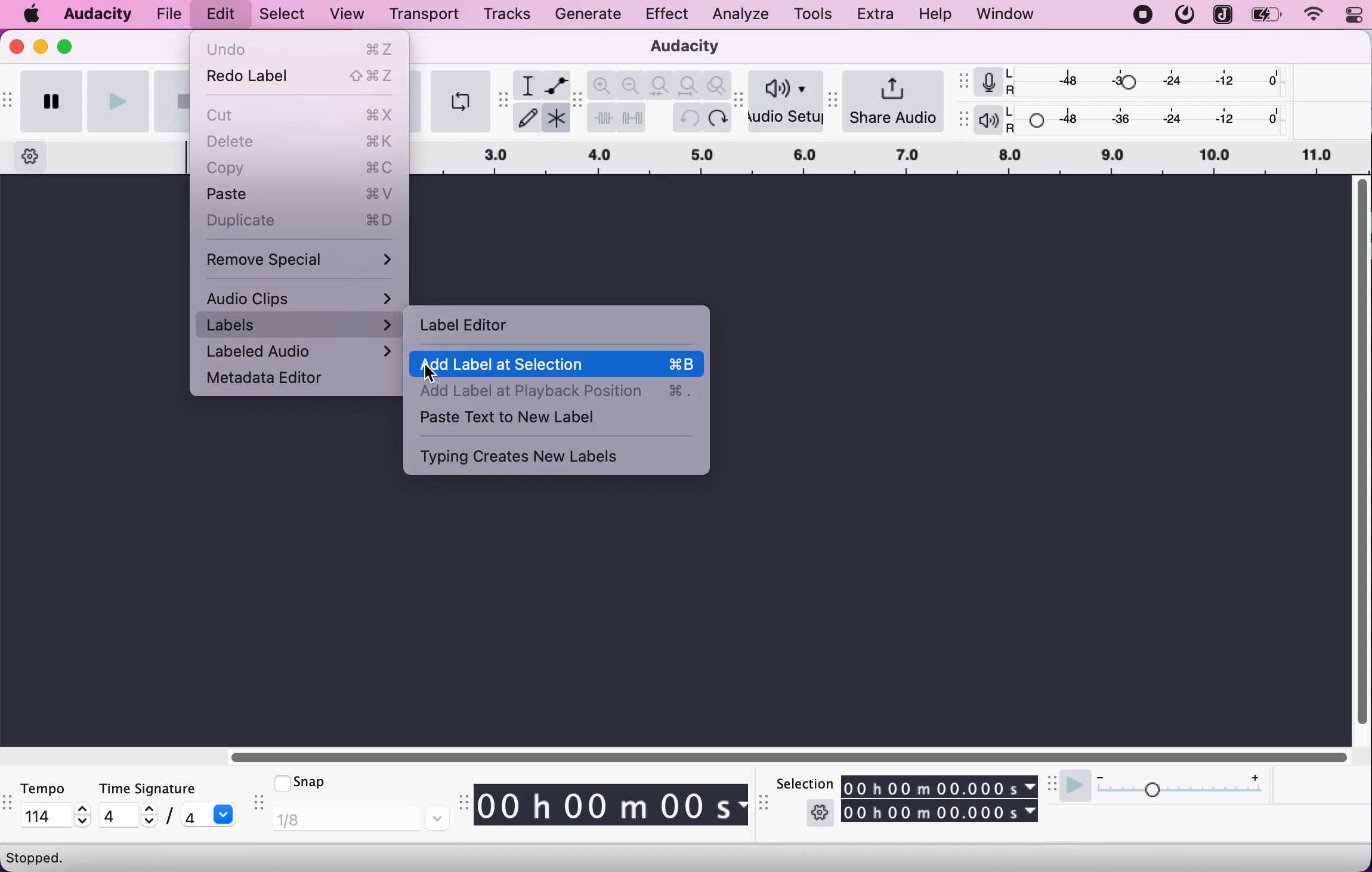 The height and width of the screenshot is (872, 1372). What do you see at coordinates (836, 95) in the screenshot?
I see `audacity share audio toolbar` at bounding box center [836, 95].